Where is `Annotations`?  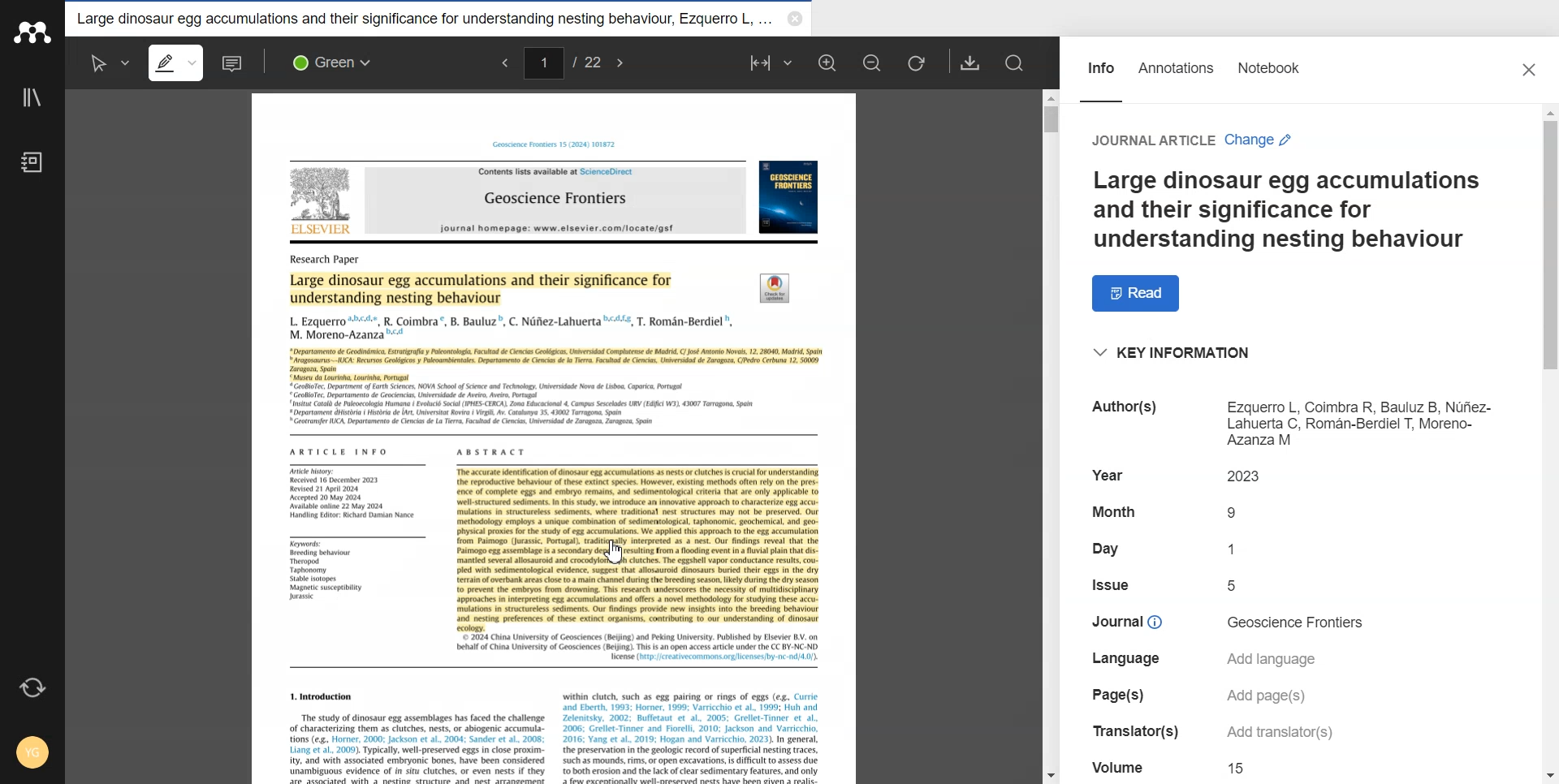
Annotations is located at coordinates (1177, 77).